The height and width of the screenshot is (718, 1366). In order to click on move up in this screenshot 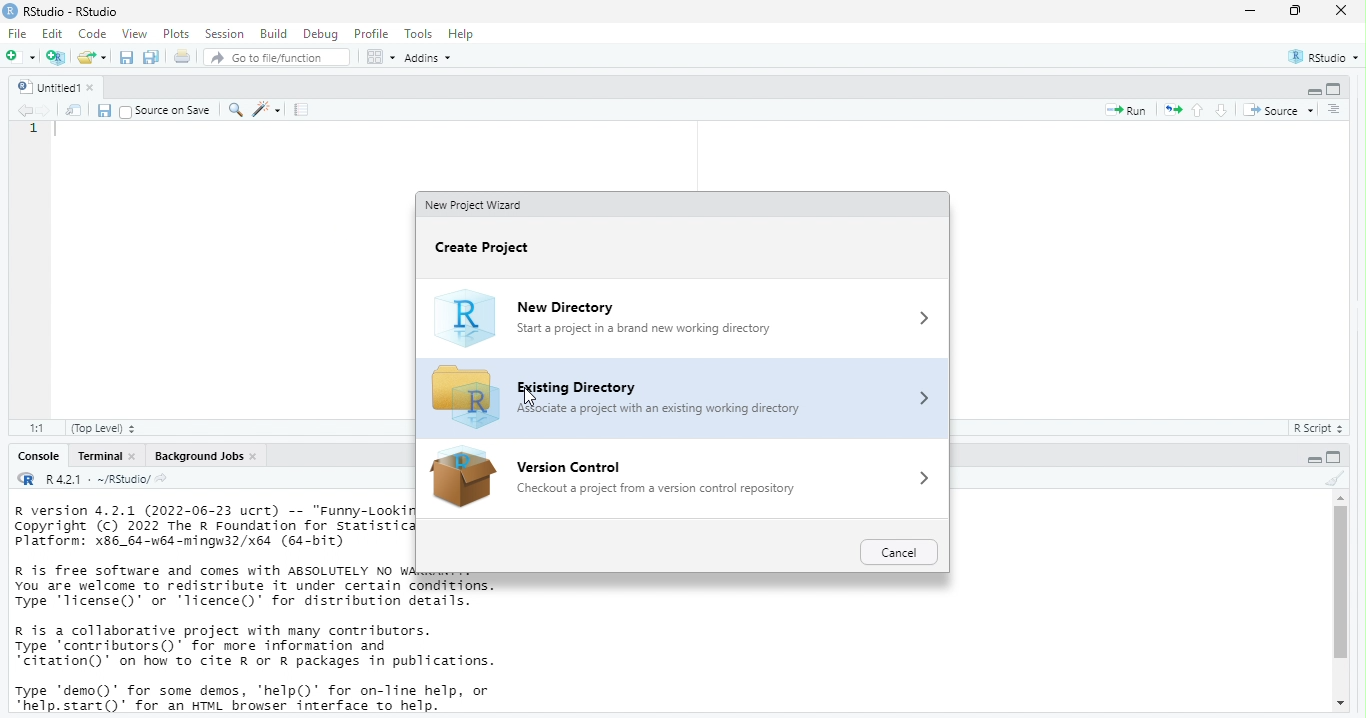, I will do `click(1342, 495)`.